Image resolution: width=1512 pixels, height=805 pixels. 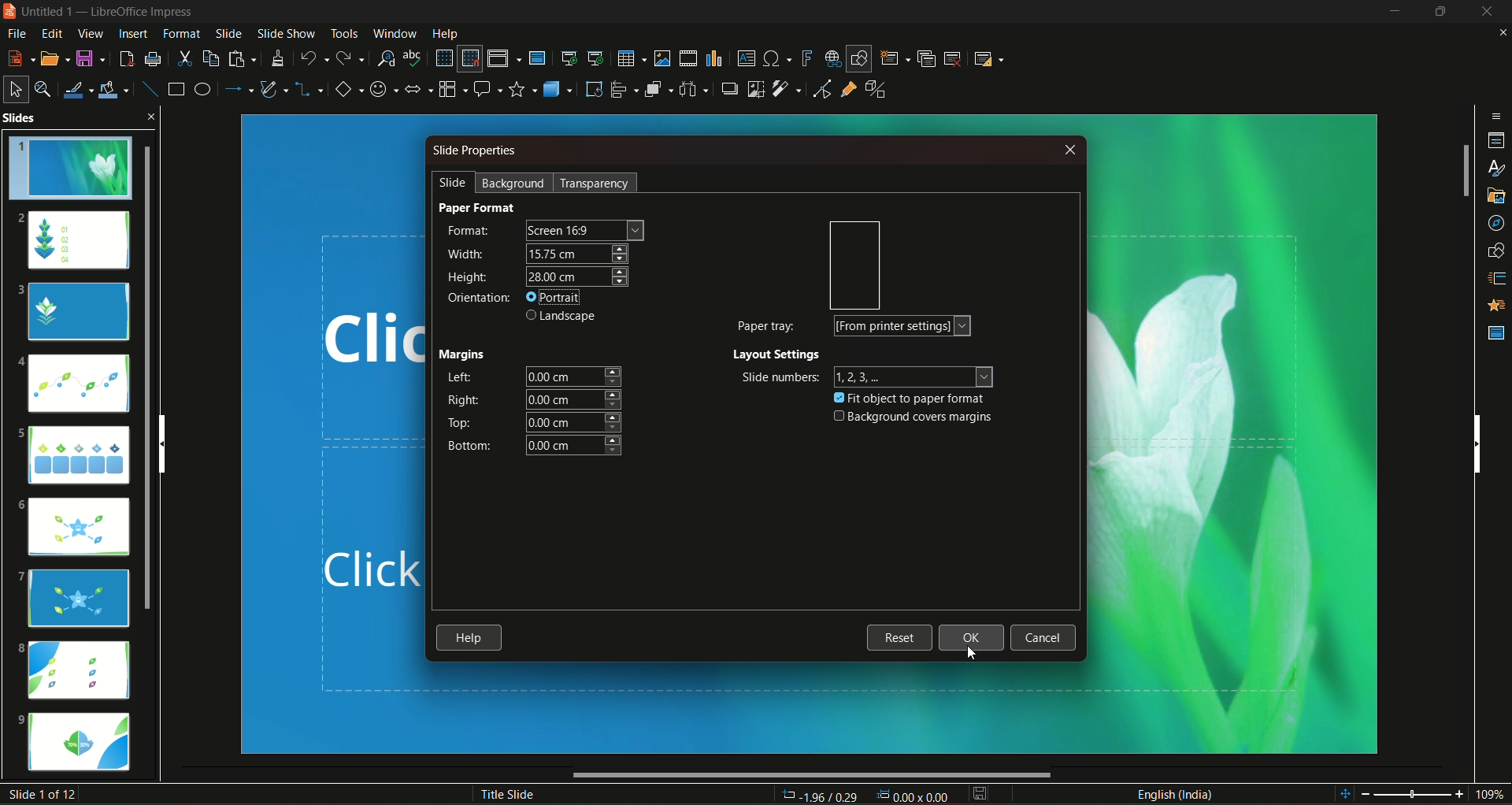 What do you see at coordinates (309, 90) in the screenshot?
I see `connectors` at bounding box center [309, 90].